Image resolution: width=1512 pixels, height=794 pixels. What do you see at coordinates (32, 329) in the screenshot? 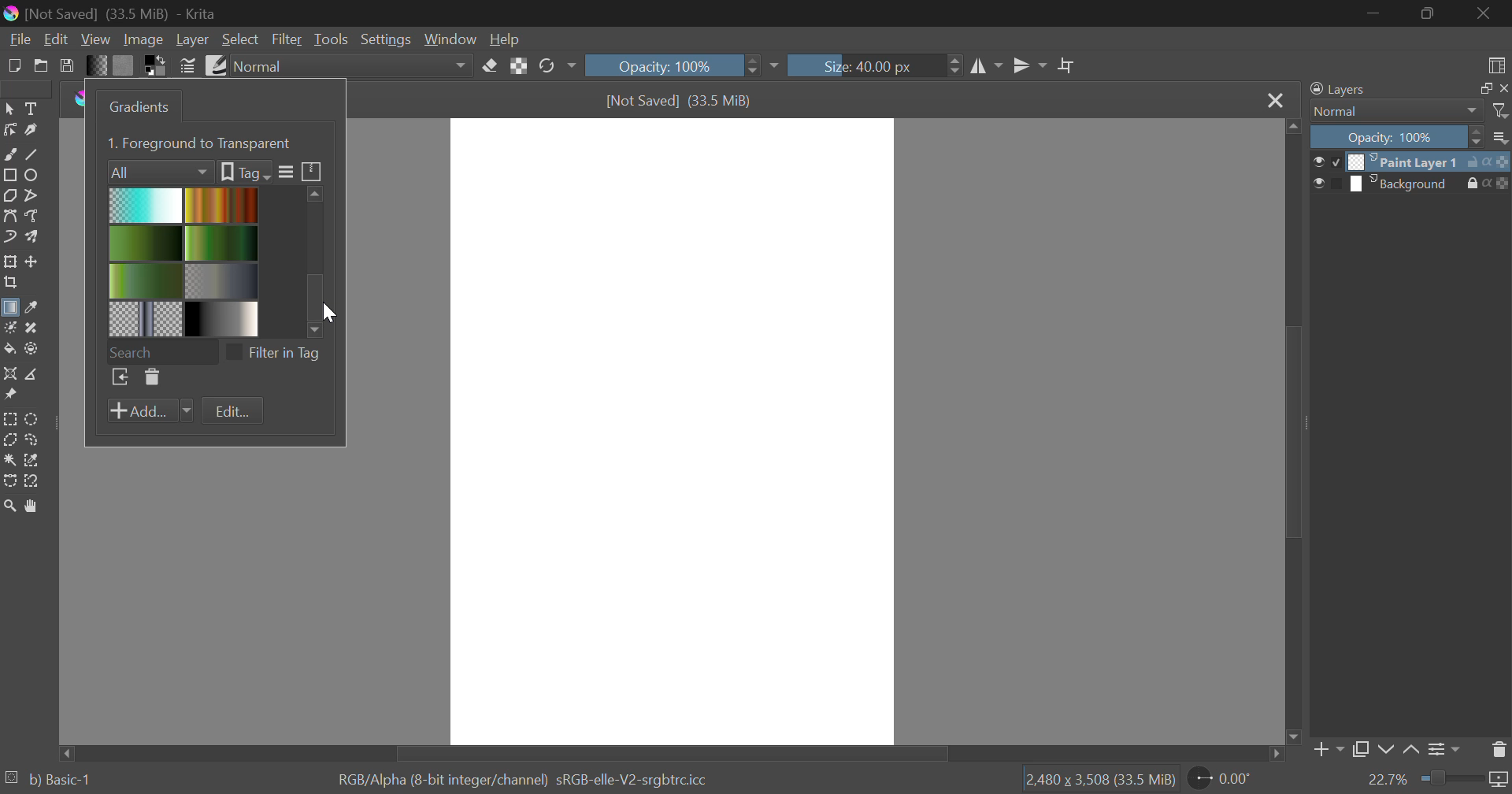
I see `Smart Patch Tool` at bounding box center [32, 329].